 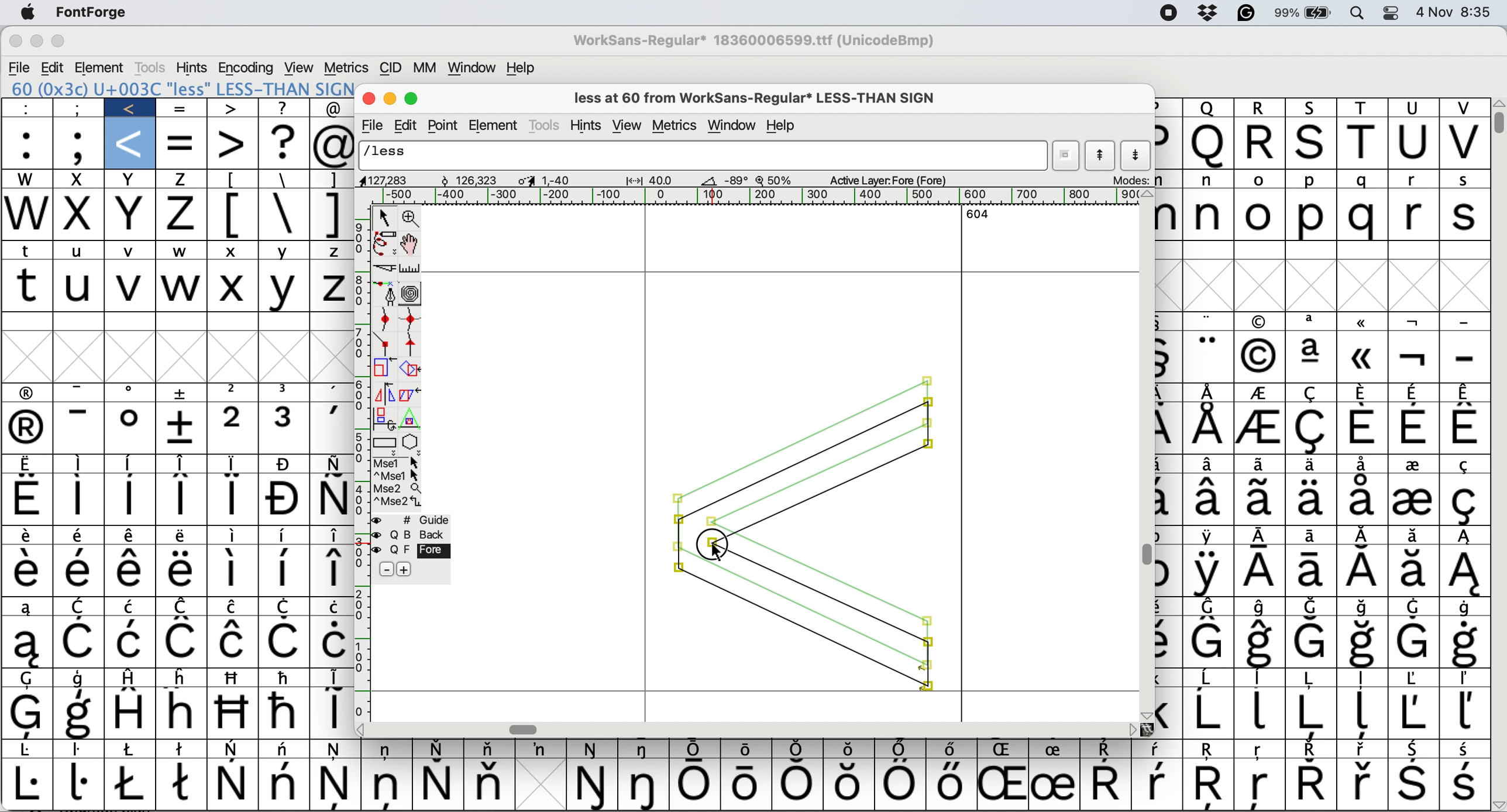 I want to click on Symbol, so click(x=1310, y=537).